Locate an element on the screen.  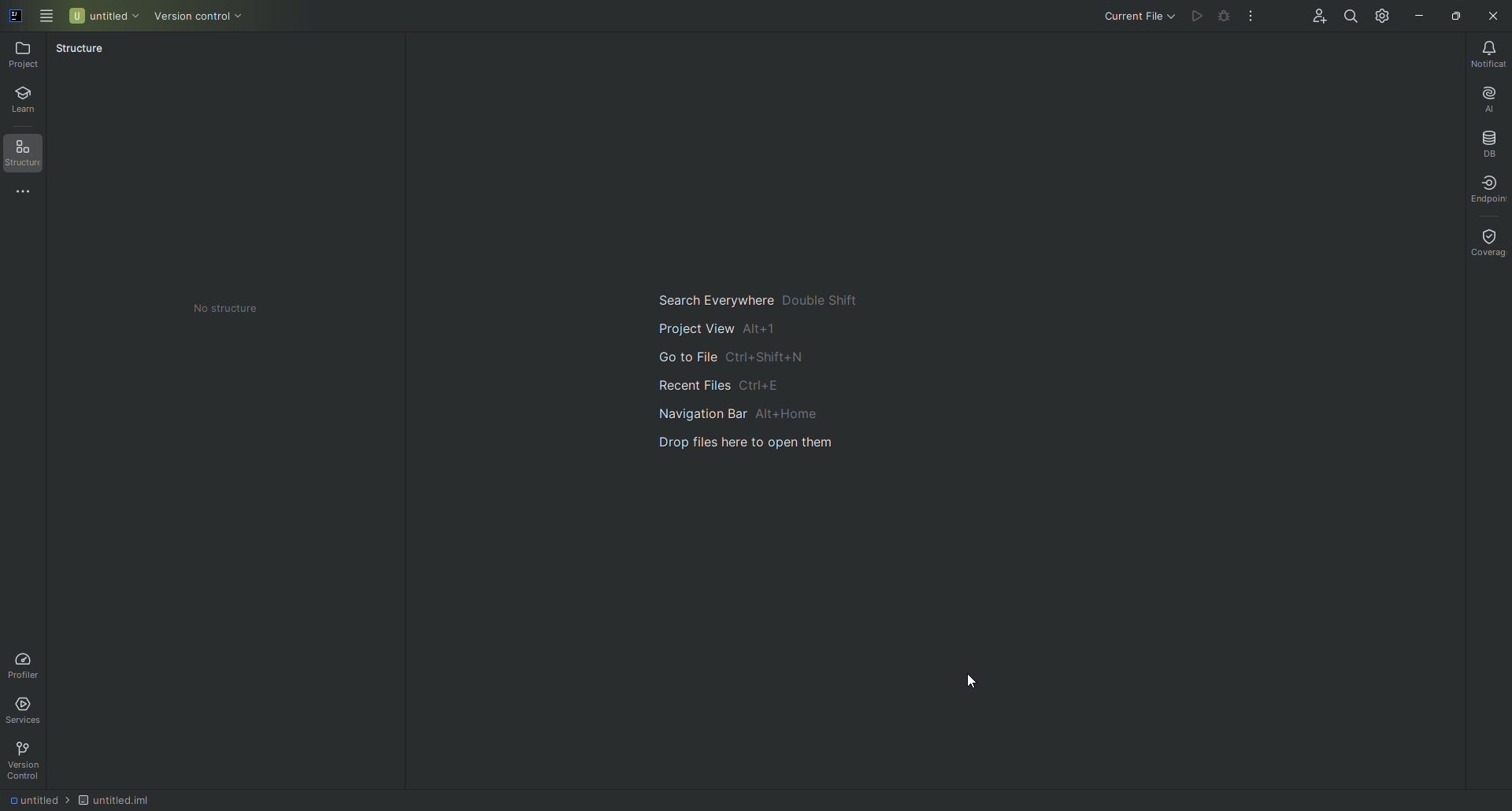
Application logo is located at coordinates (19, 19).